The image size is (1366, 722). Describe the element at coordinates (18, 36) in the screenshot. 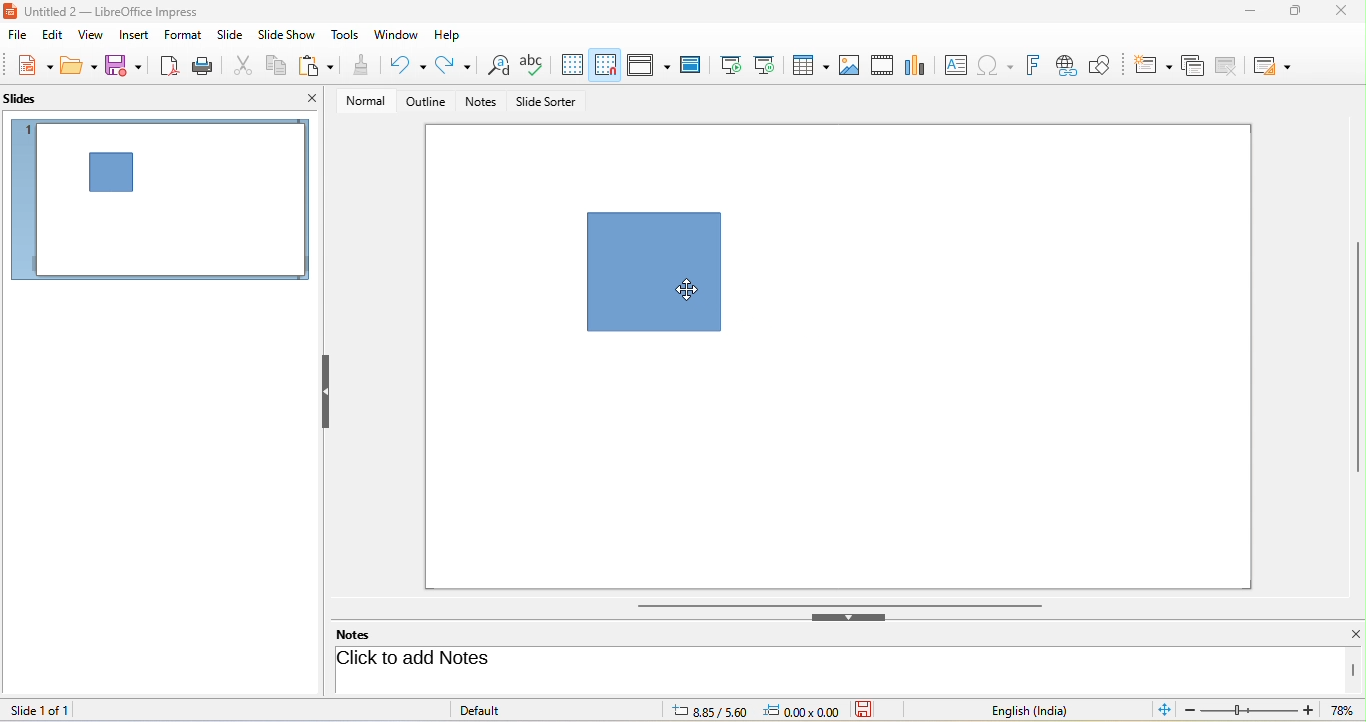

I see `file` at that location.